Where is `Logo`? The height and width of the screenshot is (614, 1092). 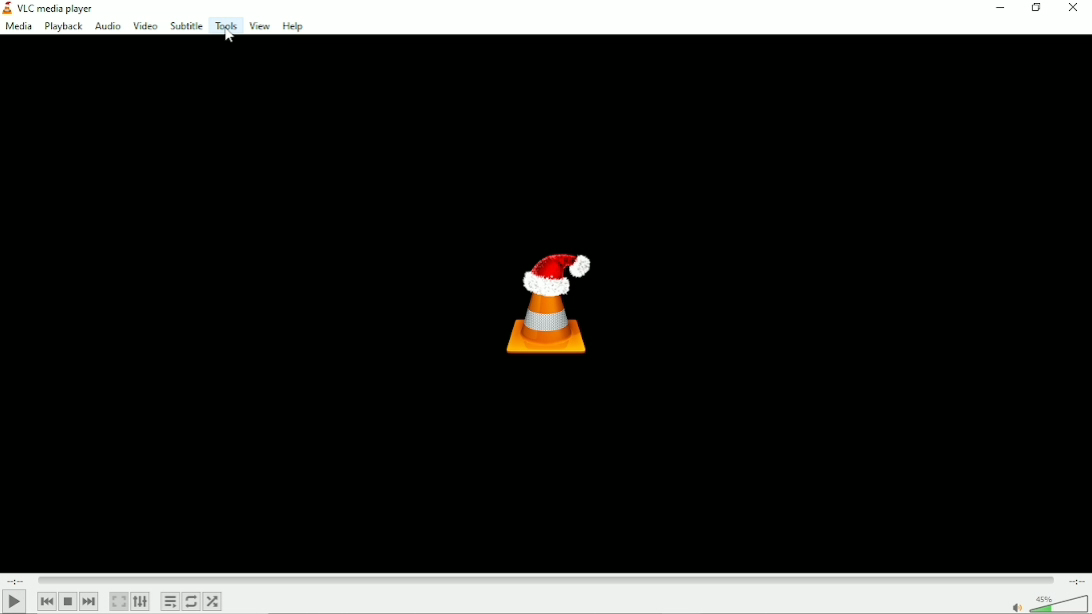 Logo is located at coordinates (549, 302).